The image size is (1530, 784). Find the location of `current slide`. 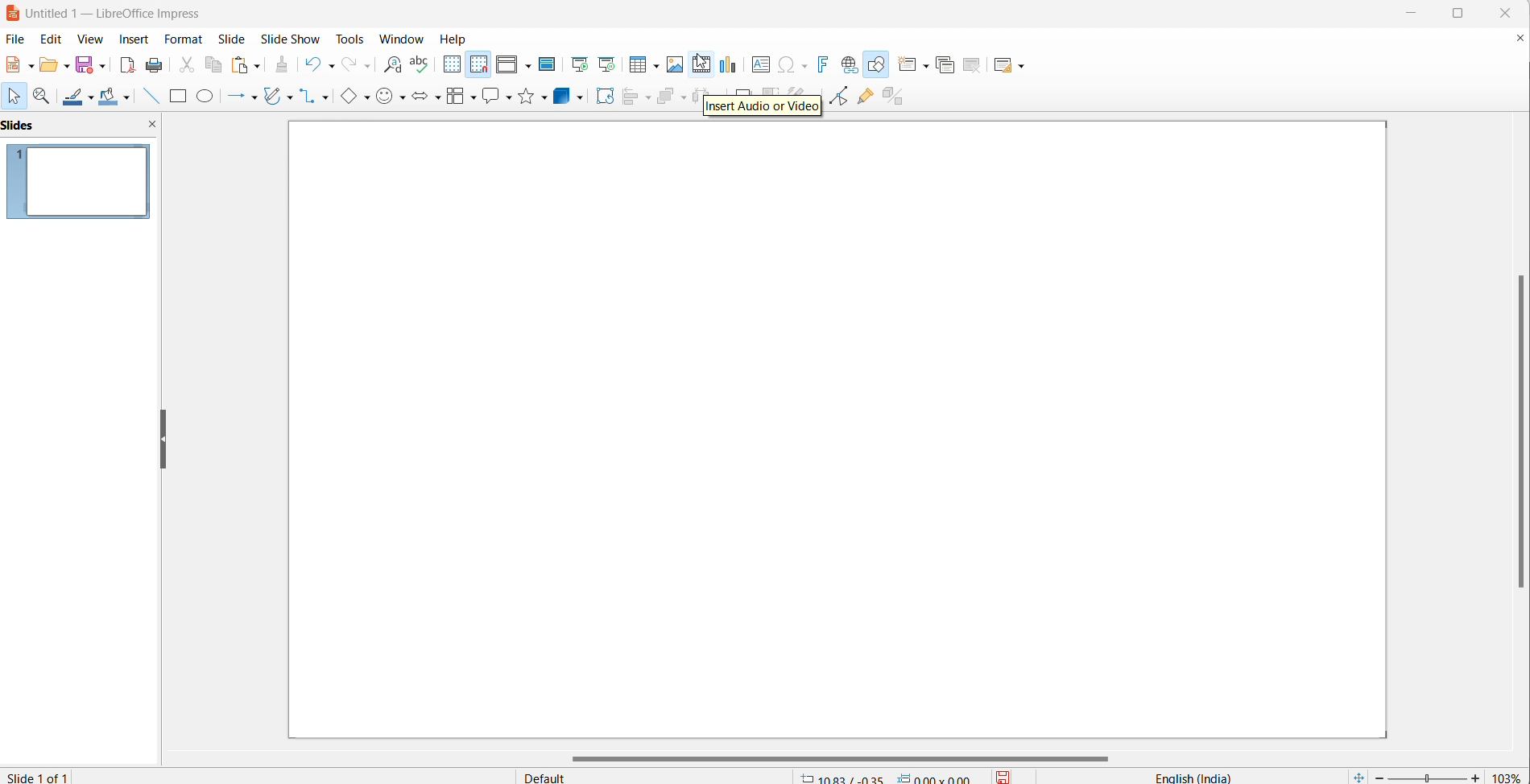

current slide is located at coordinates (47, 776).